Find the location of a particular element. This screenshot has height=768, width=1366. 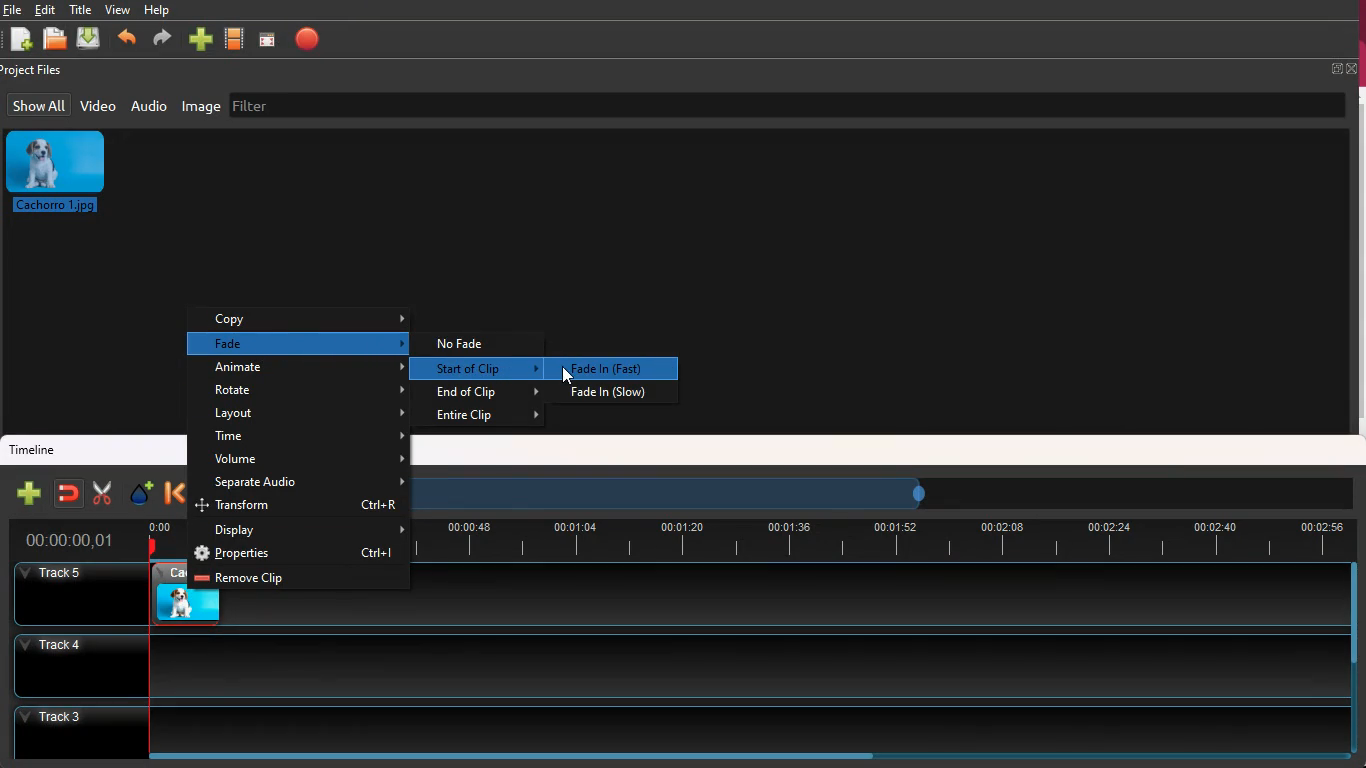

time is located at coordinates (70, 538).